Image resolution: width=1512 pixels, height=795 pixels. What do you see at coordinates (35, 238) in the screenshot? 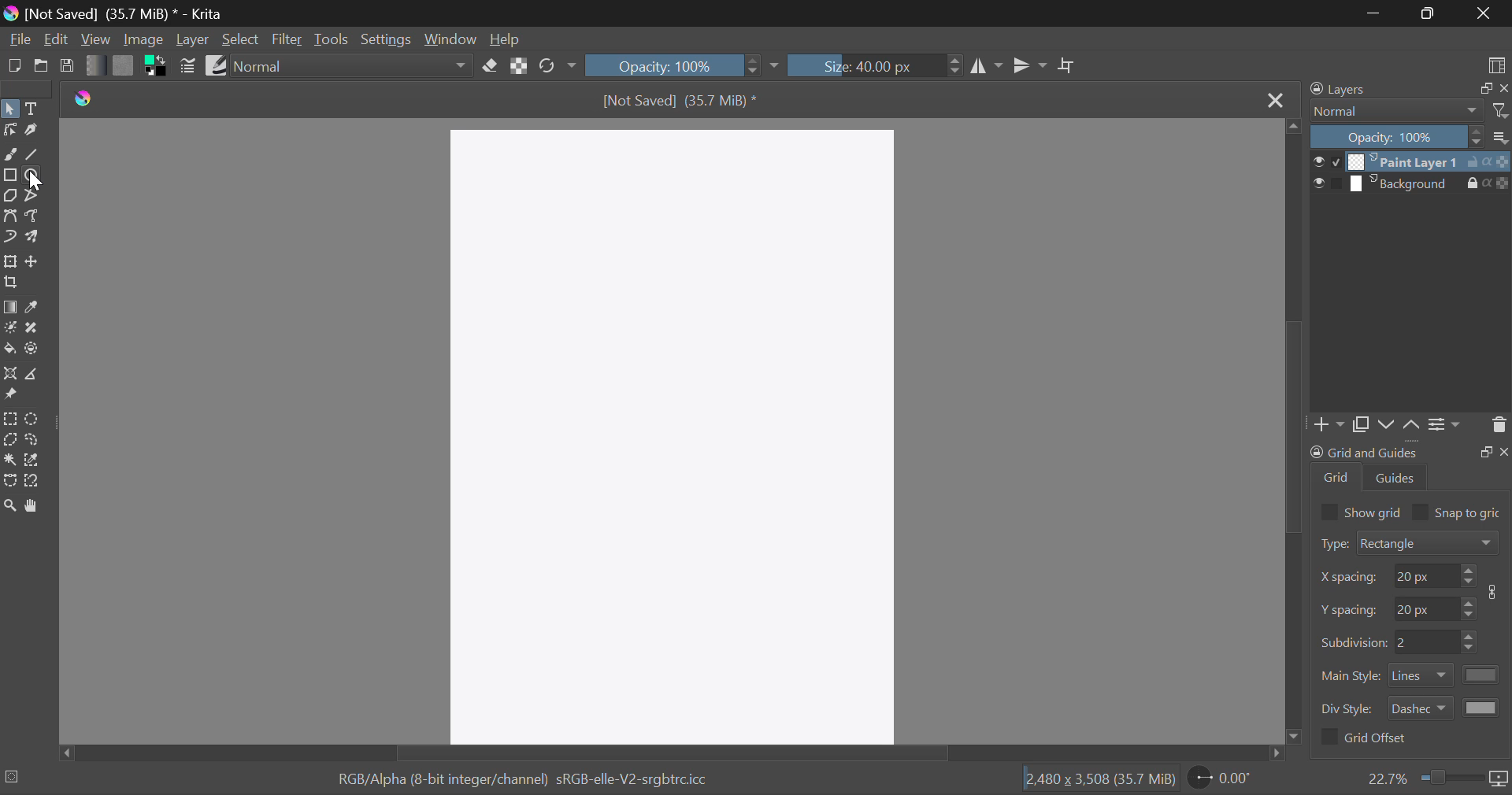
I see `Multibrush Tool` at bounding box center [35, 238].